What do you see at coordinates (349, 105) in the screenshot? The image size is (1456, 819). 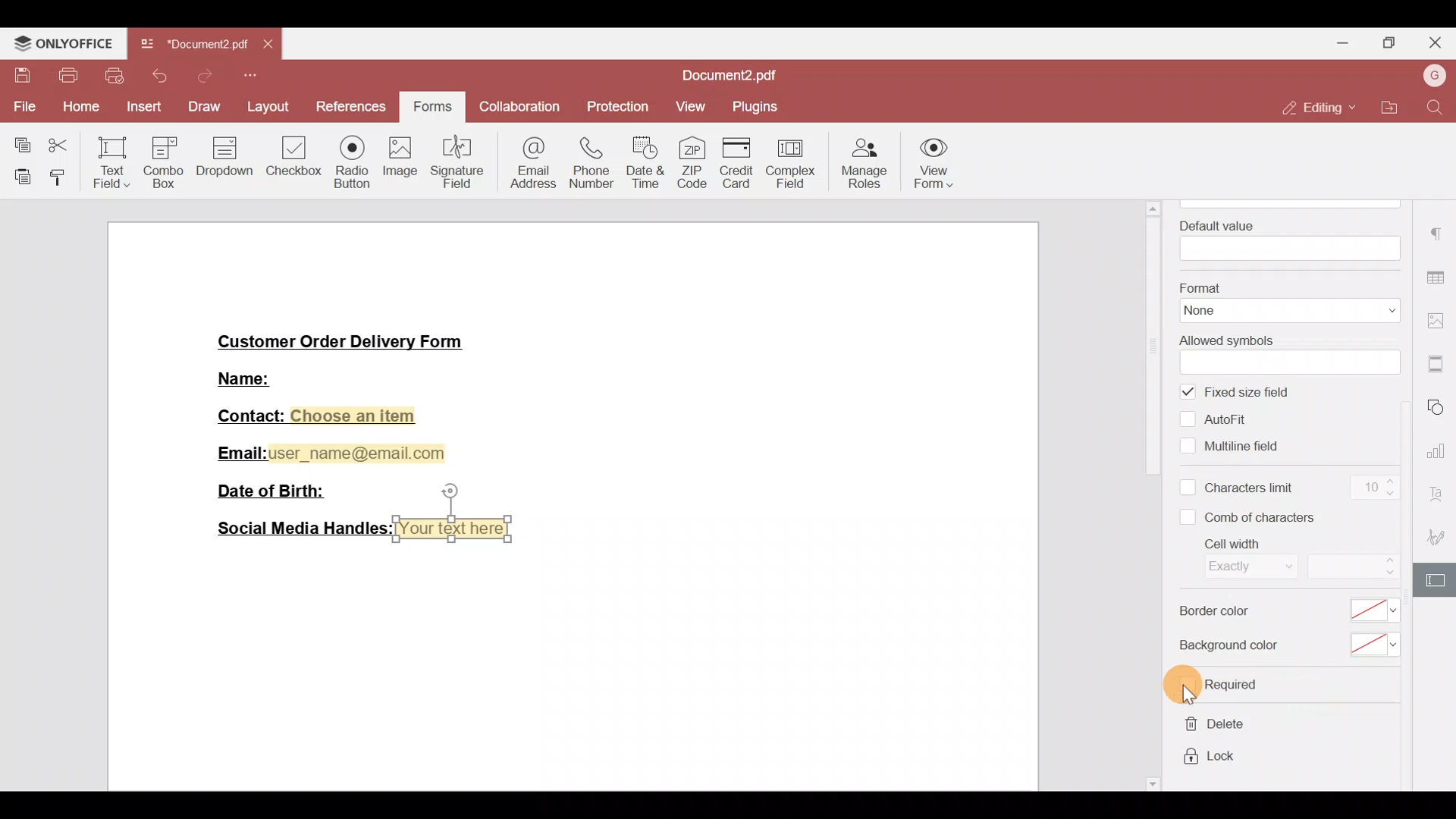 I see `References` at bounding box center [349, 105].